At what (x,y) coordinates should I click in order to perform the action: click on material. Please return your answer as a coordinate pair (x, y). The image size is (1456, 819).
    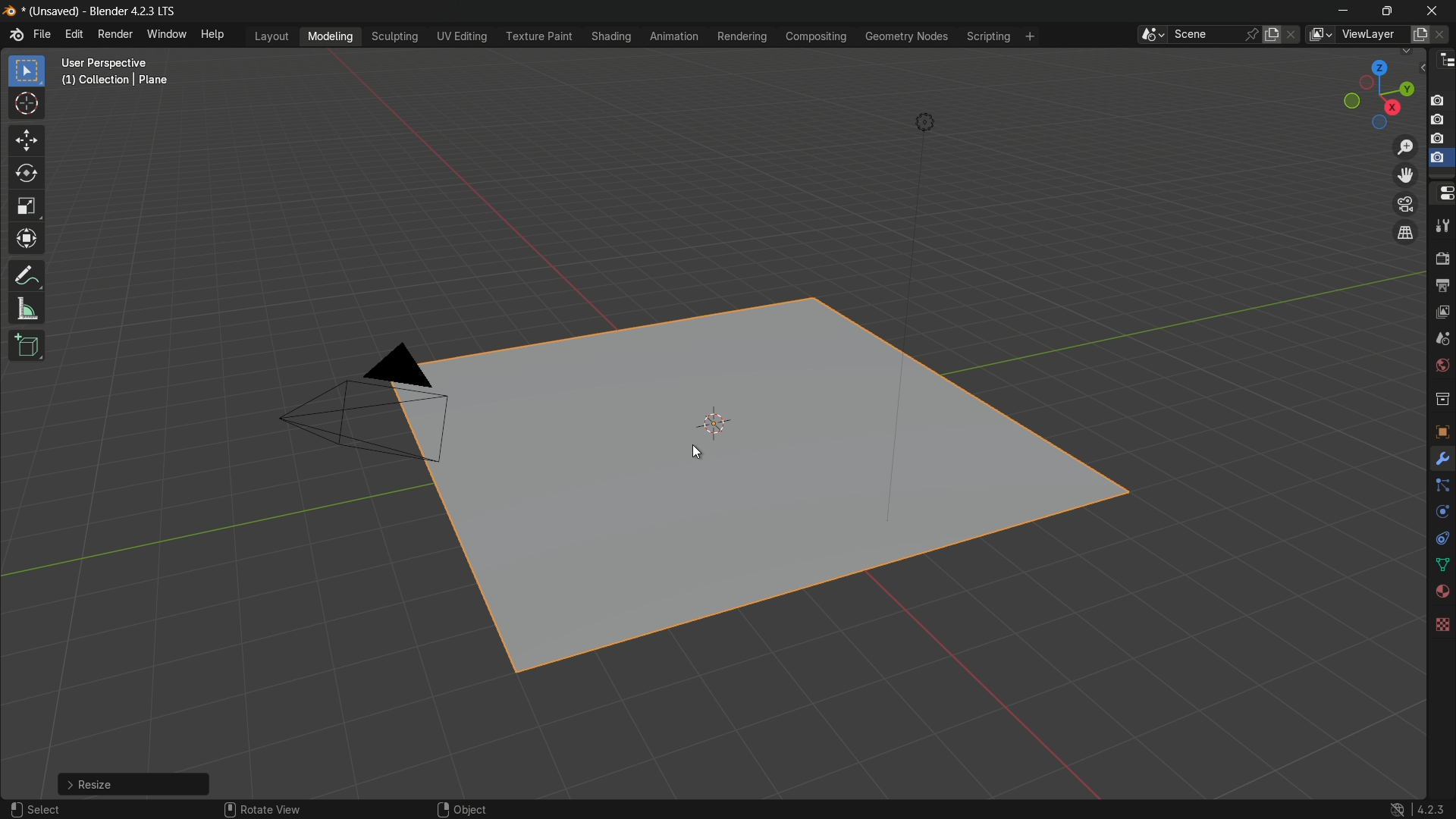
    Looking at the image, I should click on (1441, 591).